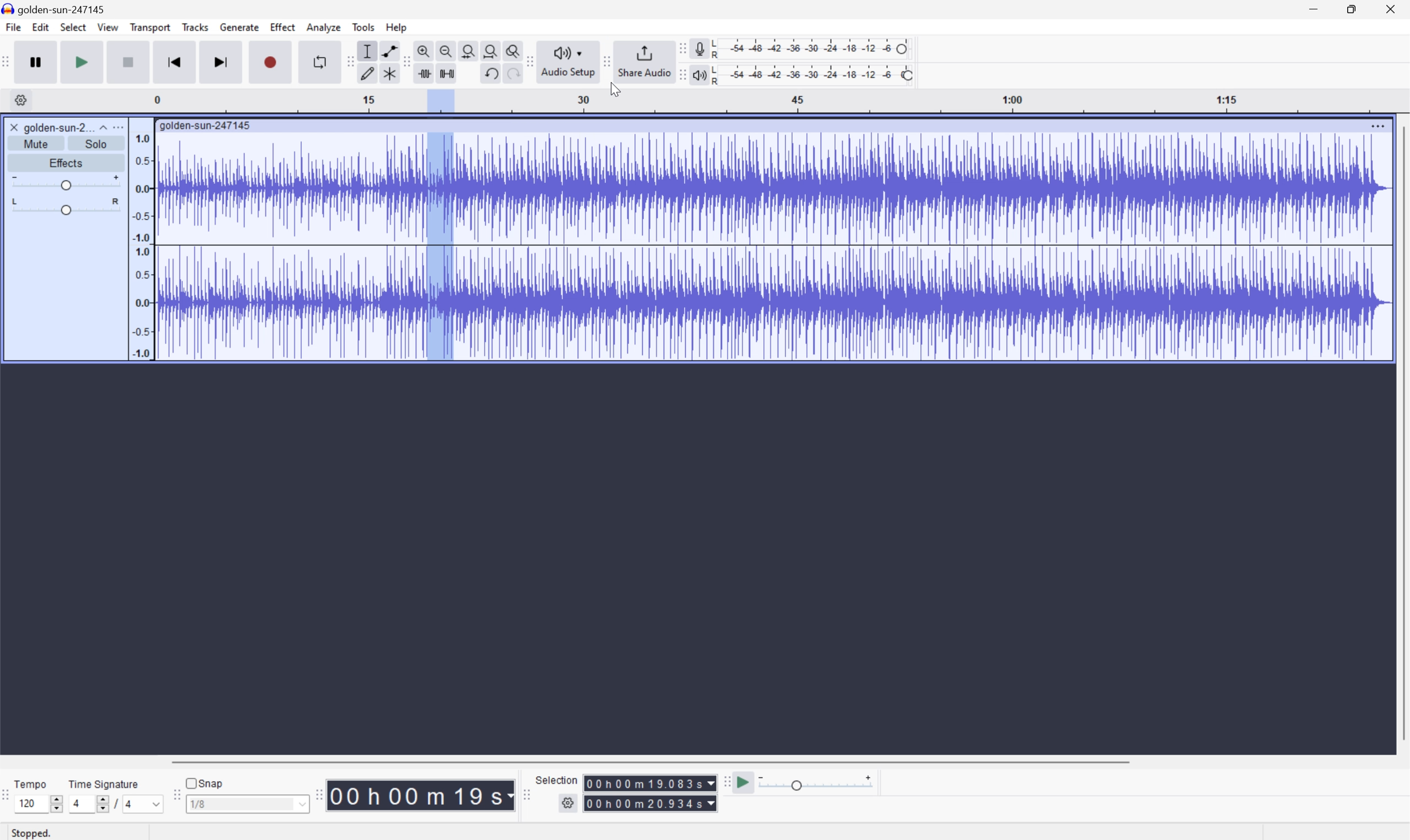  What do you see at coordinates (101, 125) in the screenshot?
I see `Drop Down` at bounding box center [101, 125].